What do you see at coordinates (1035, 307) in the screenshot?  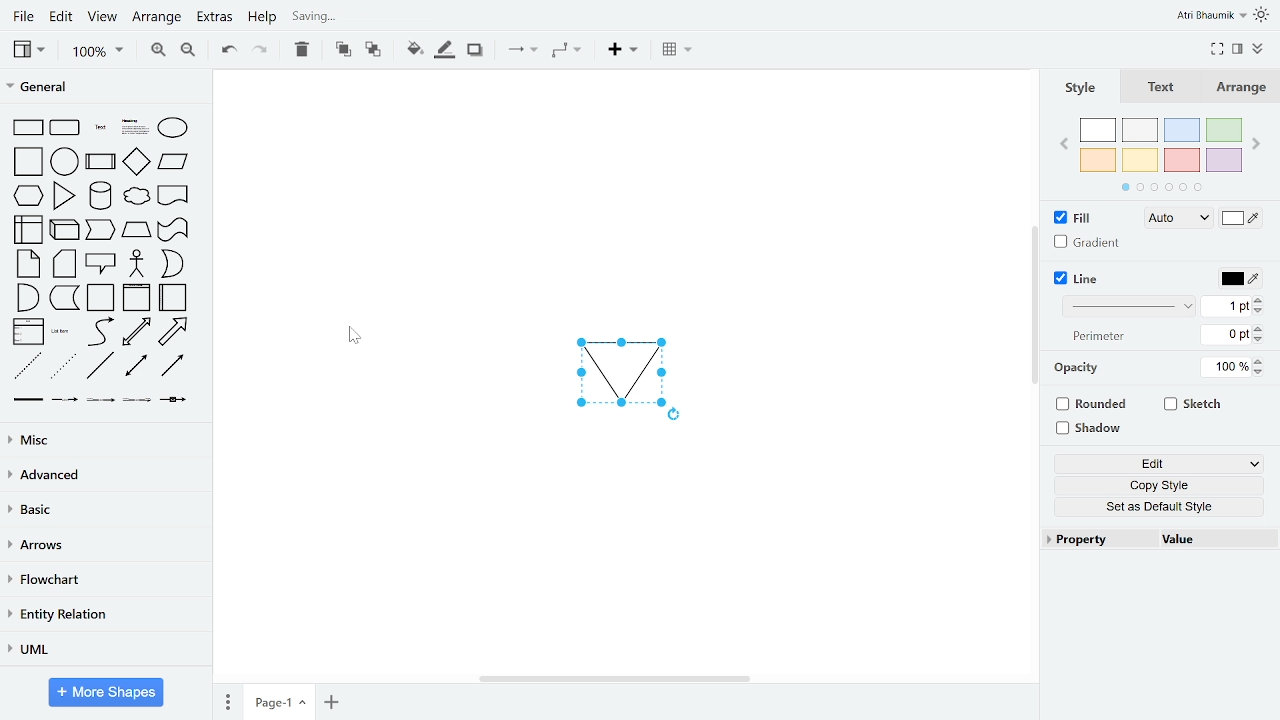 I see `vertical scrollbar` at bounding box center [1035, 307].